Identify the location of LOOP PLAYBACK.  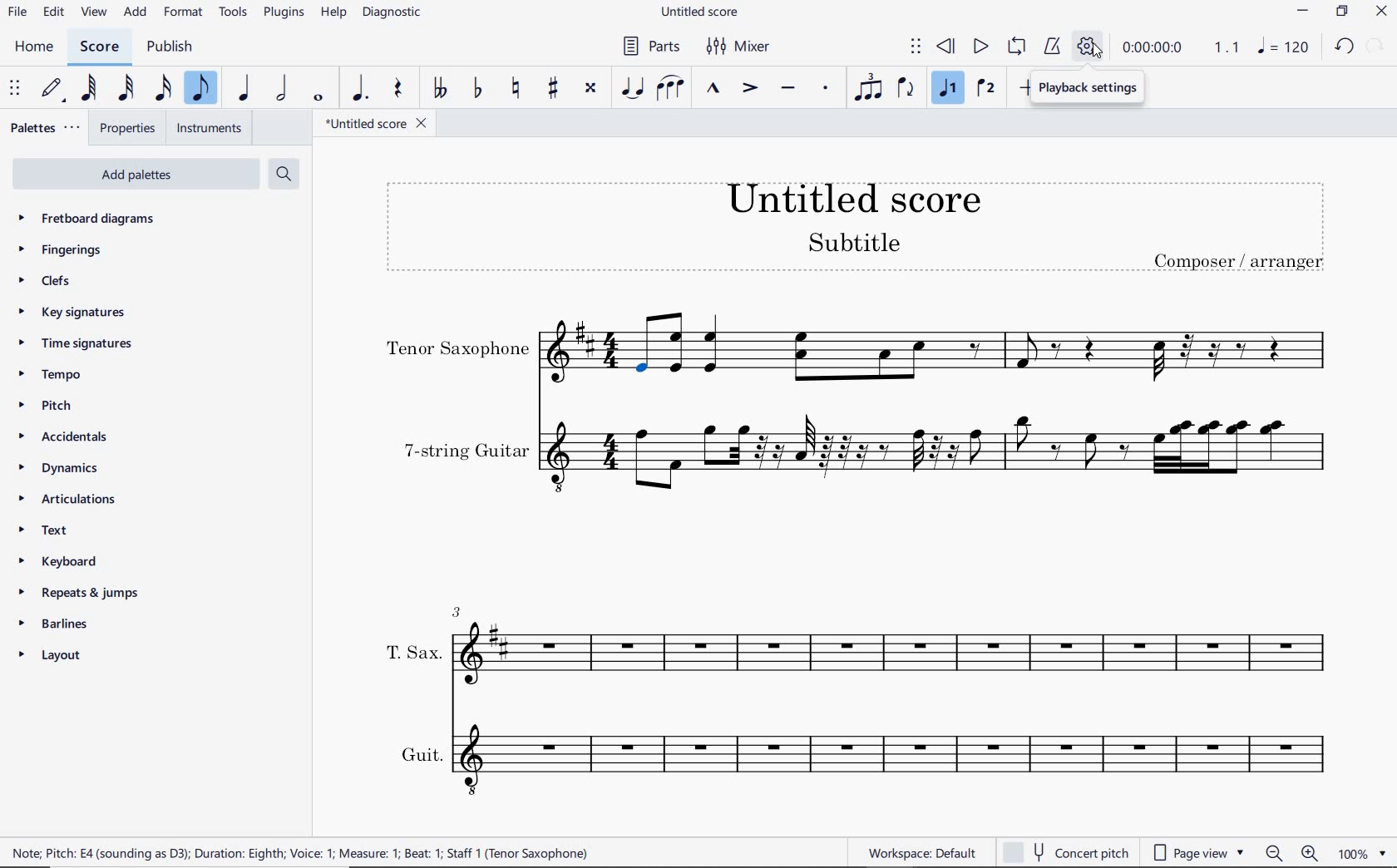
(1016, 45).